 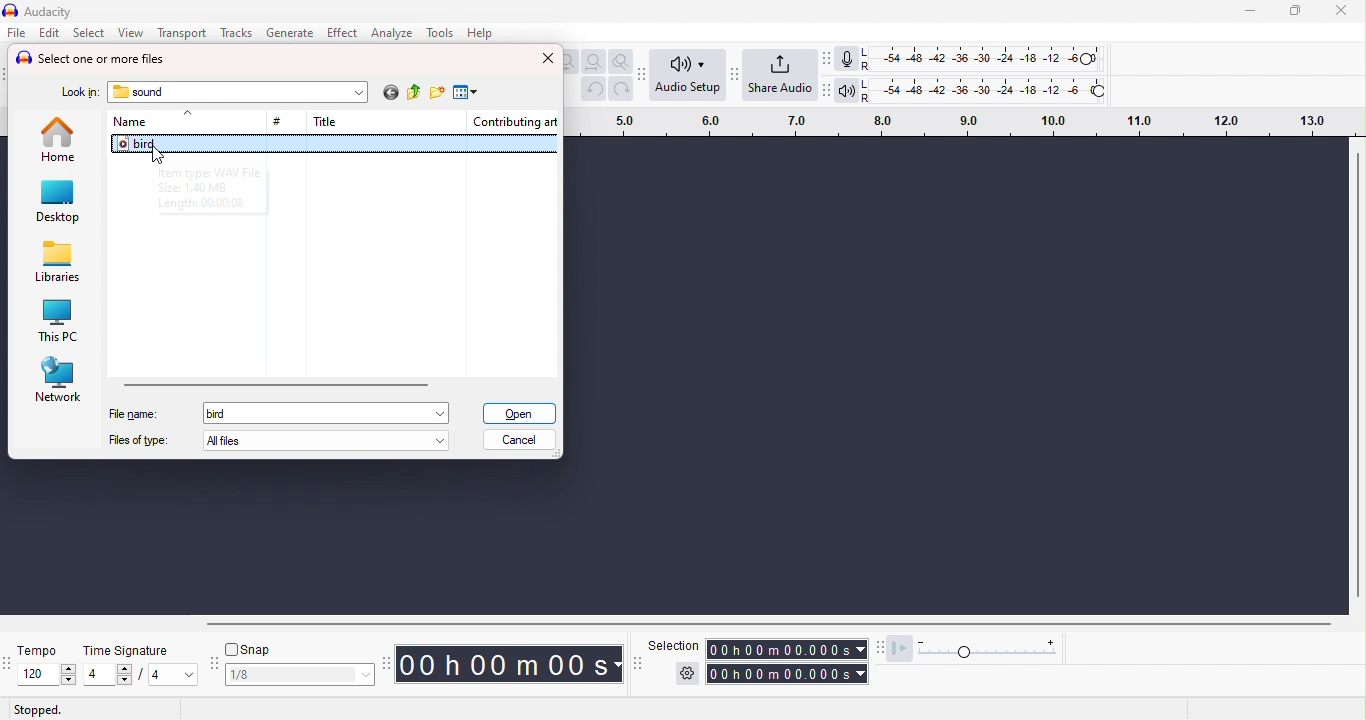 I want to click on file name, so click(x=133, y=414).